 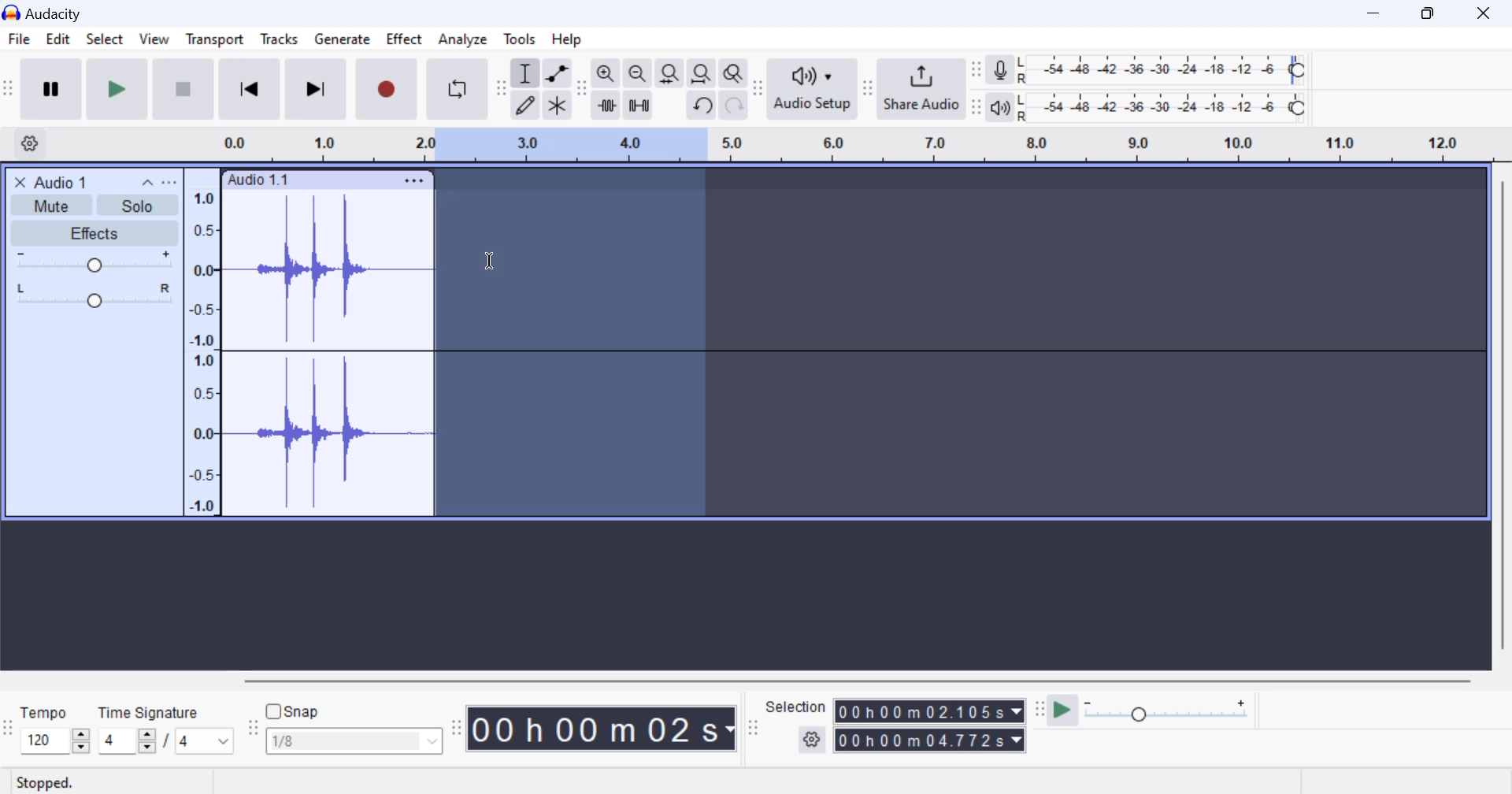 What do you see at coordinates (280, 43) in the screenshot?
I see `Tracks` at bounding box center [280, 43].